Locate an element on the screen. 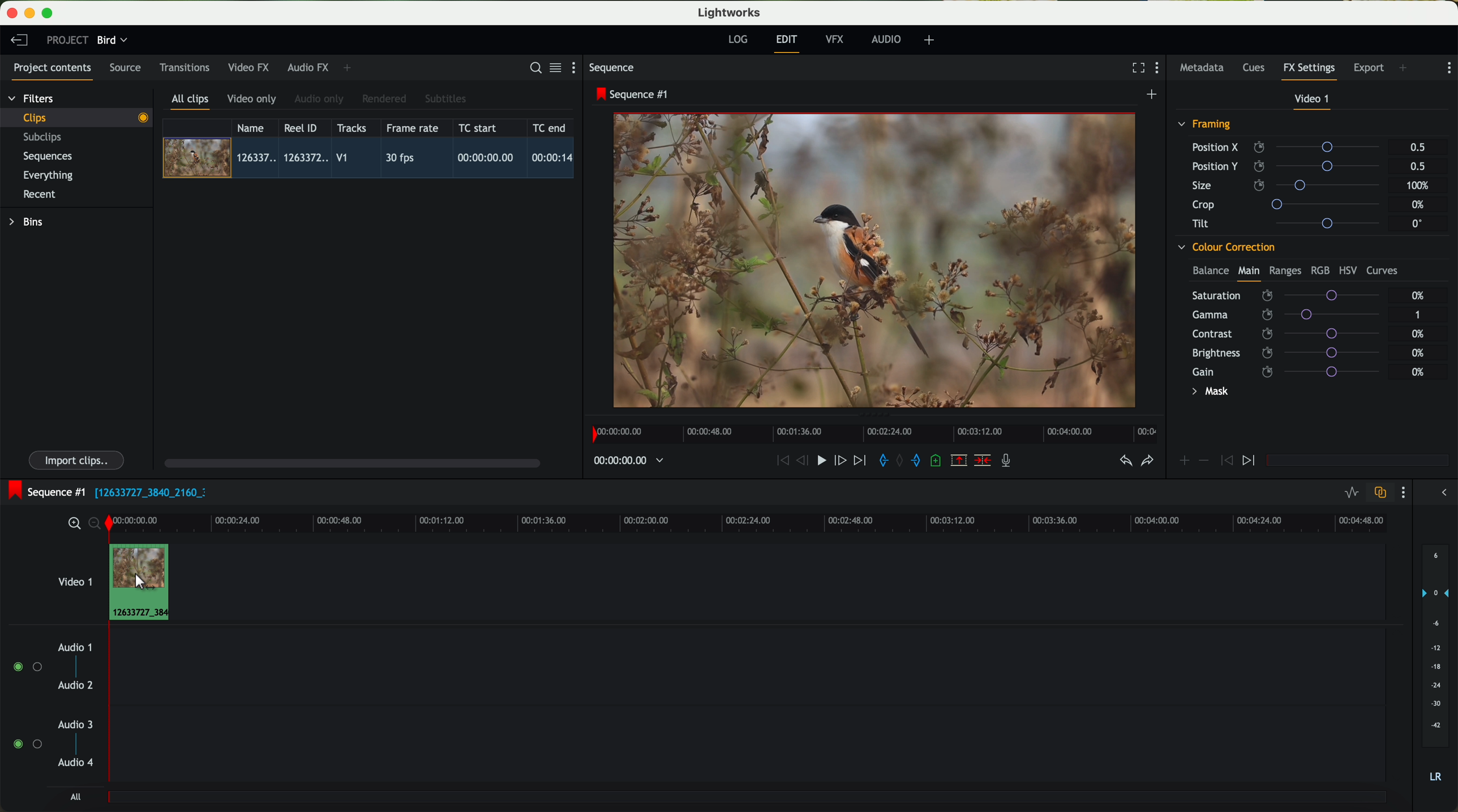  add a cue at the current position is located at coordinates (937, 461).